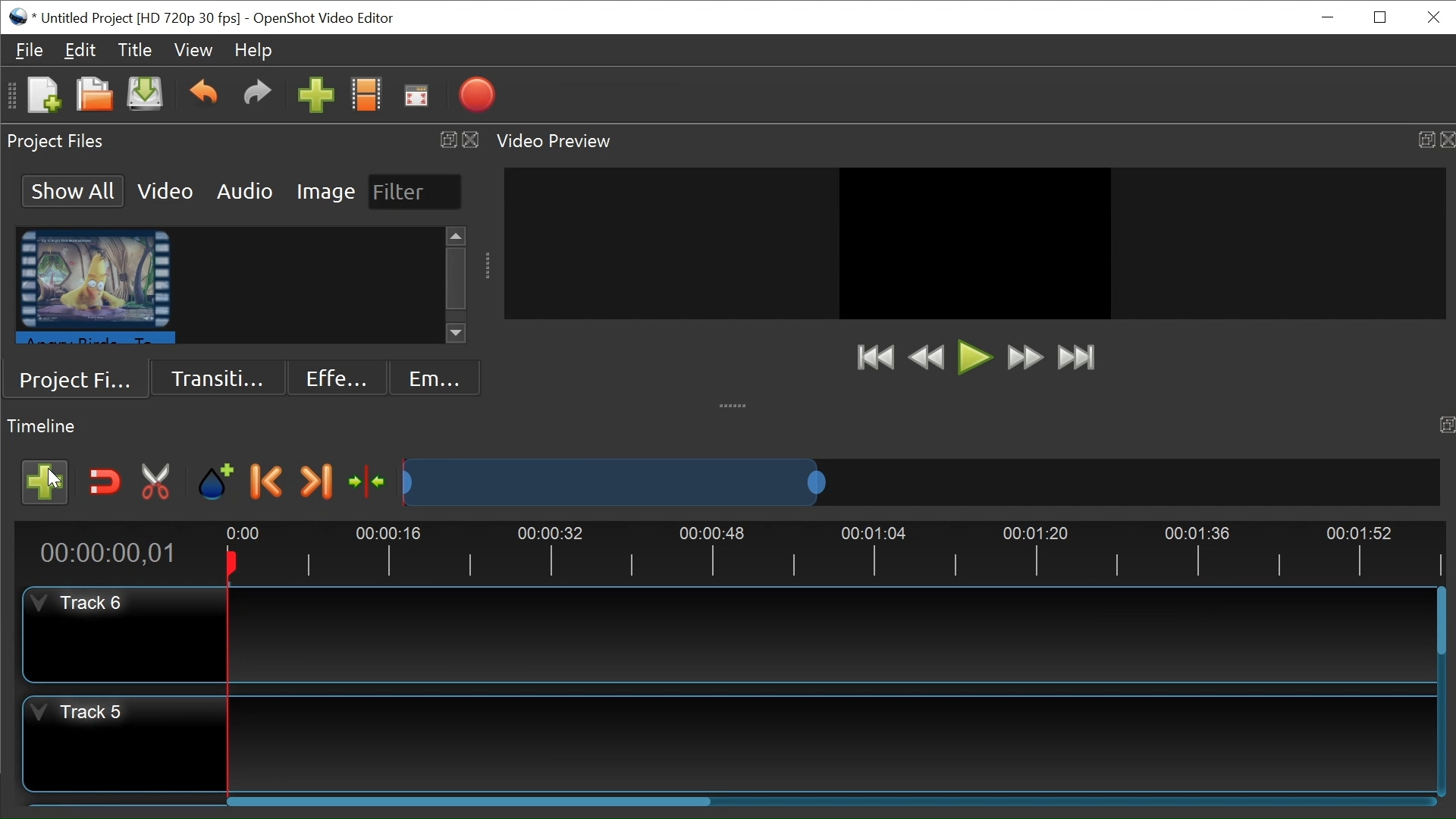 The height and width of the screenshot is (819, 1456). Describe the element at coordinates (457, 334) in the screenshot. I see `Scroll down` at that location.